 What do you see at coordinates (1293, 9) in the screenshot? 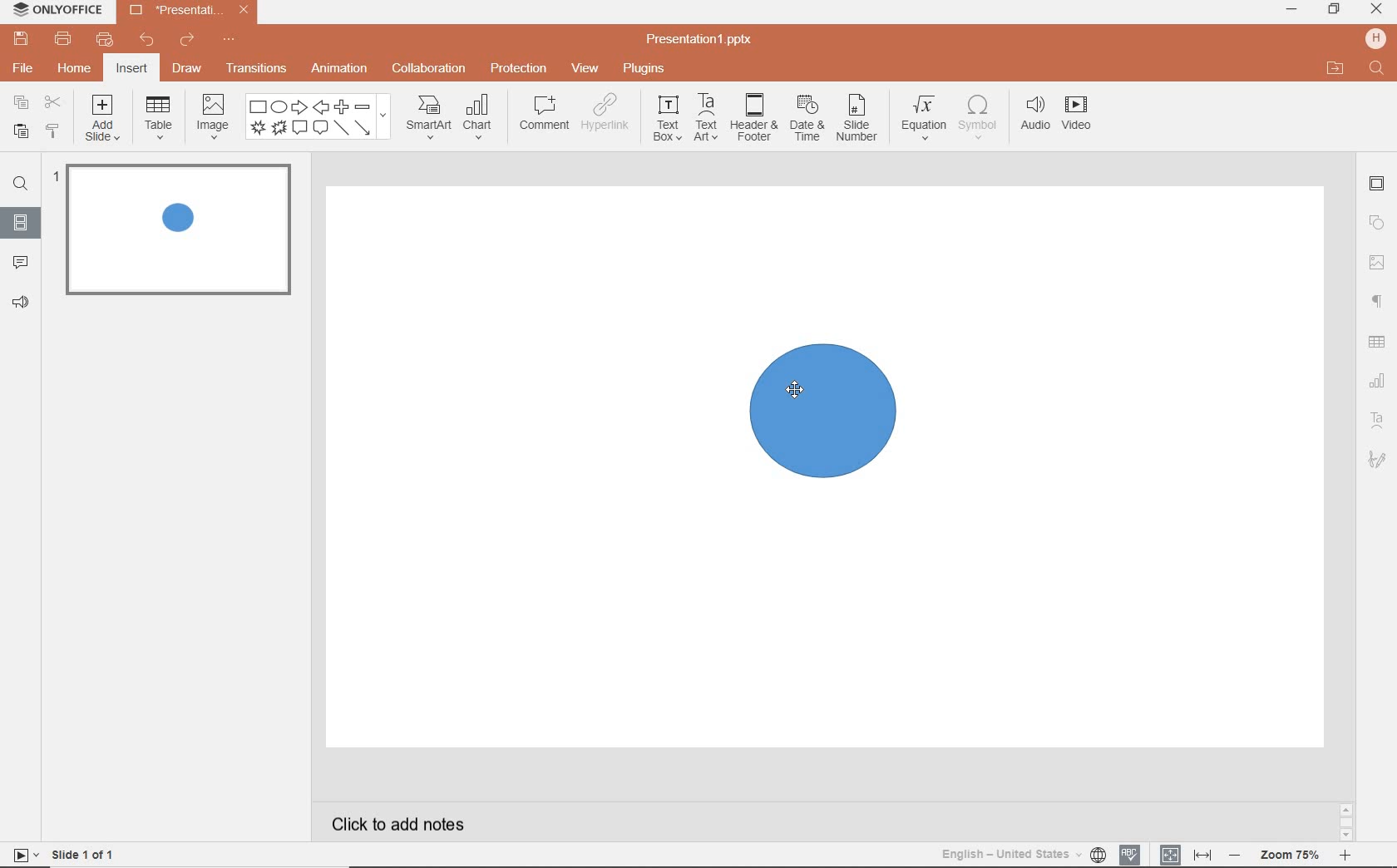
I see `minimize` at bounding box center [1293, 9].